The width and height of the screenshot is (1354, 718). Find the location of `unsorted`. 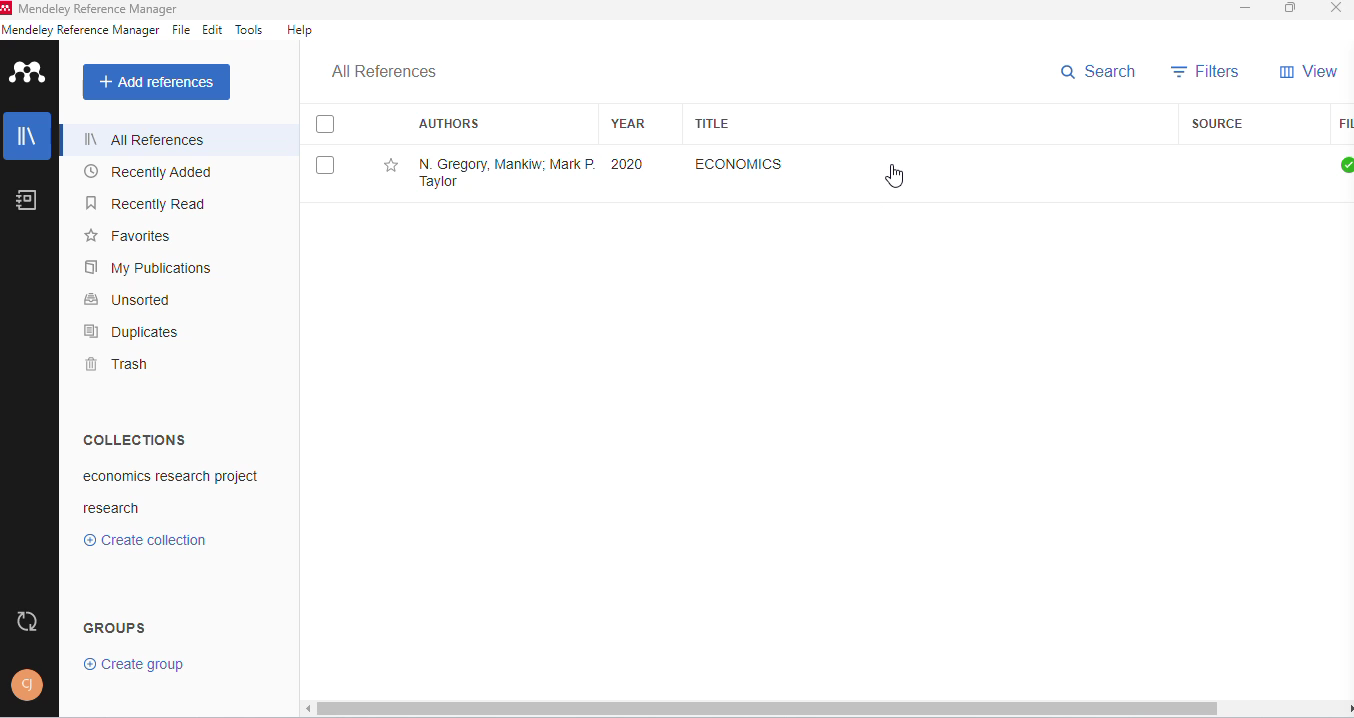

unsorted is located at coordinates (127, 300).